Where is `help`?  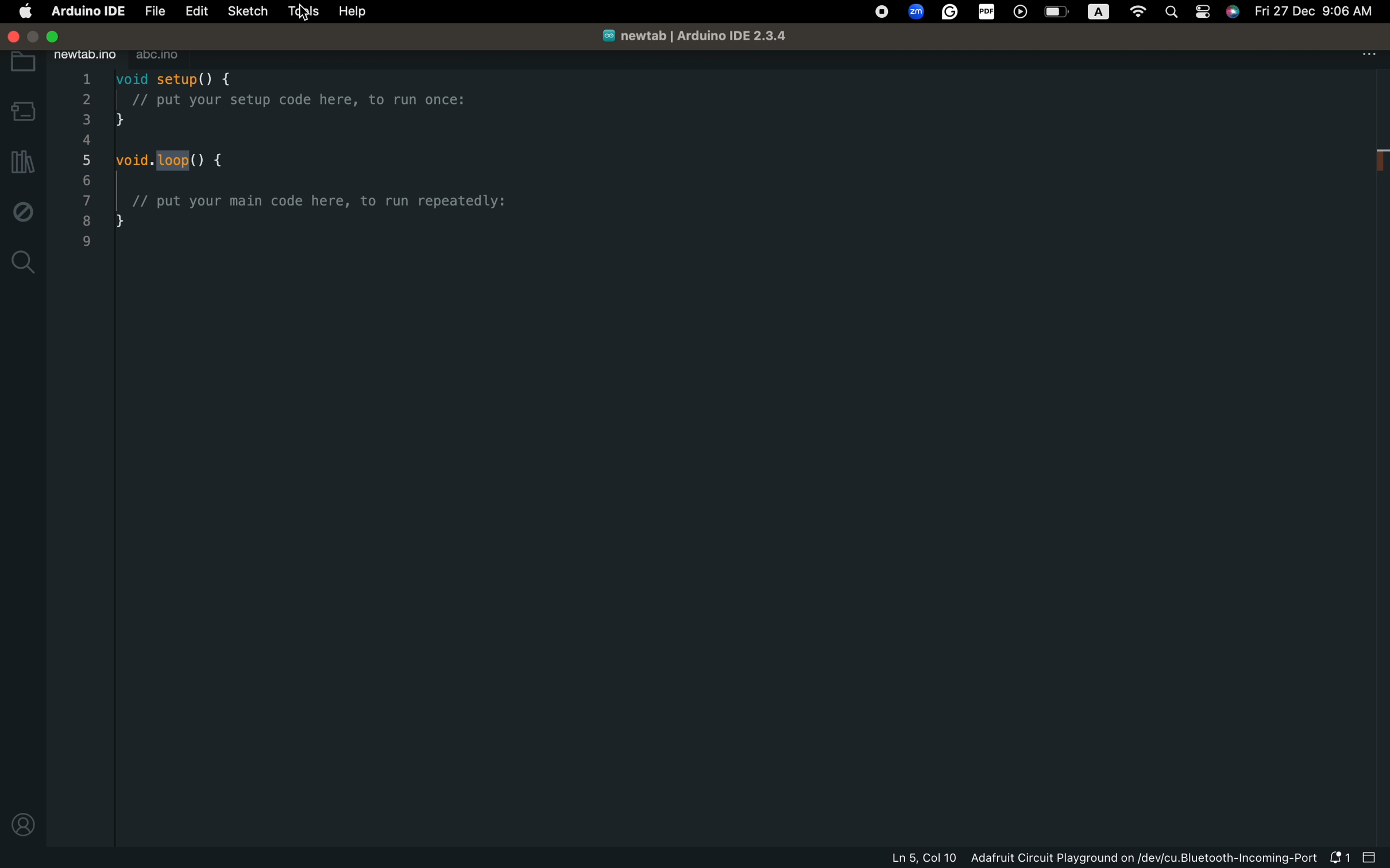
help is located at coordinates (352, 13).